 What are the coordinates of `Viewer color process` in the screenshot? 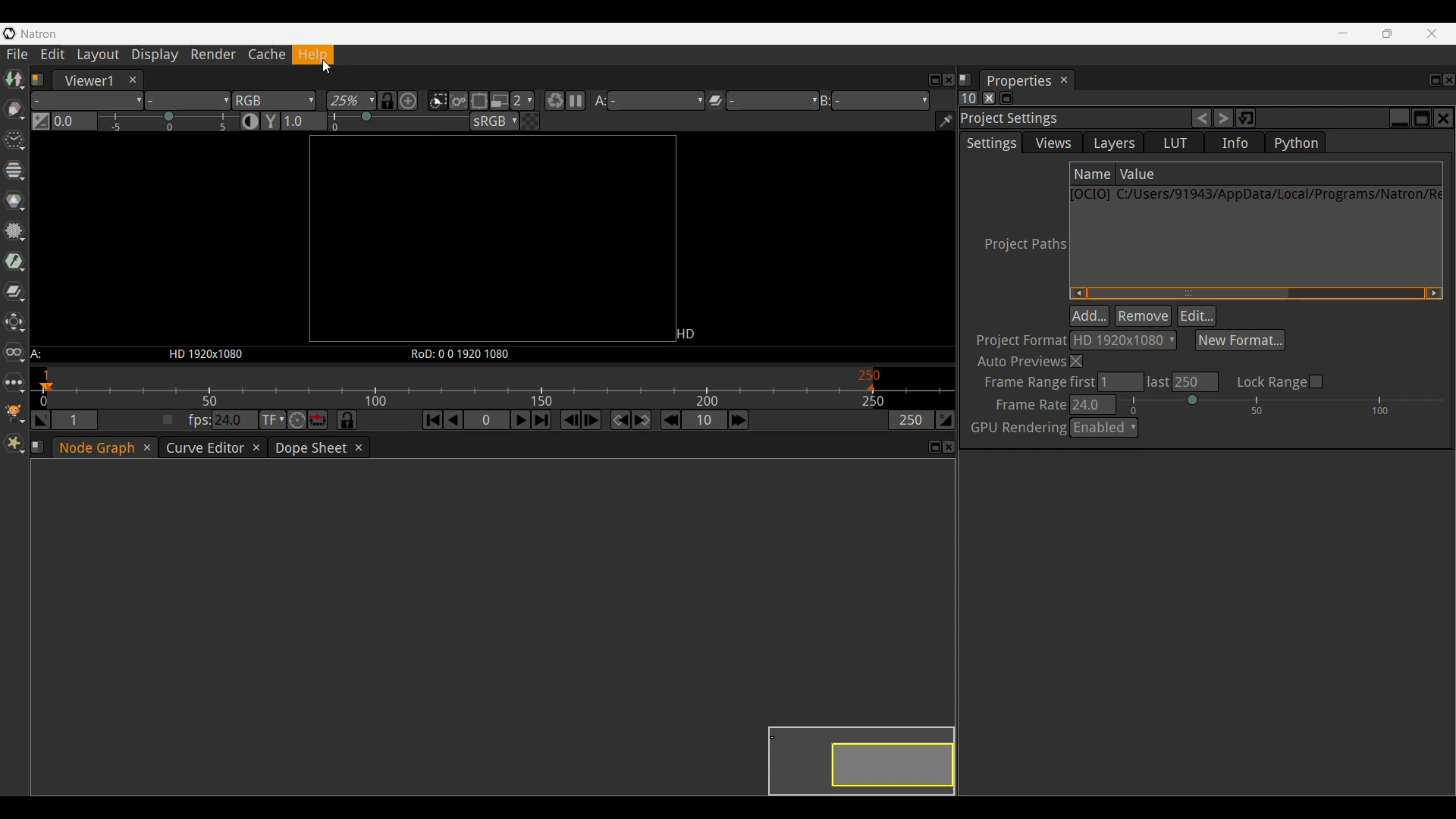 It's located at (494, 121).